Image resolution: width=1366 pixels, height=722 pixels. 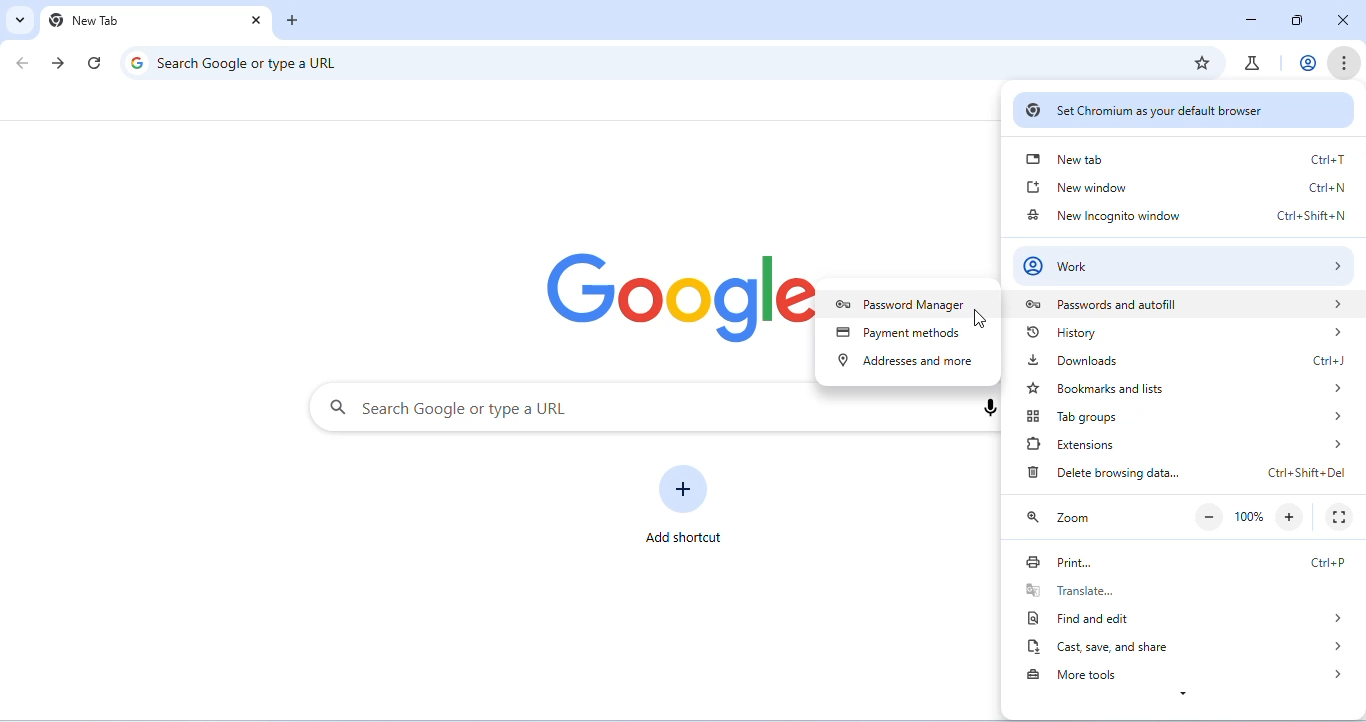 What do you see at coordinates (1184, 262) in the screenshot?
I see `work` at bounding box center [1184, 262].